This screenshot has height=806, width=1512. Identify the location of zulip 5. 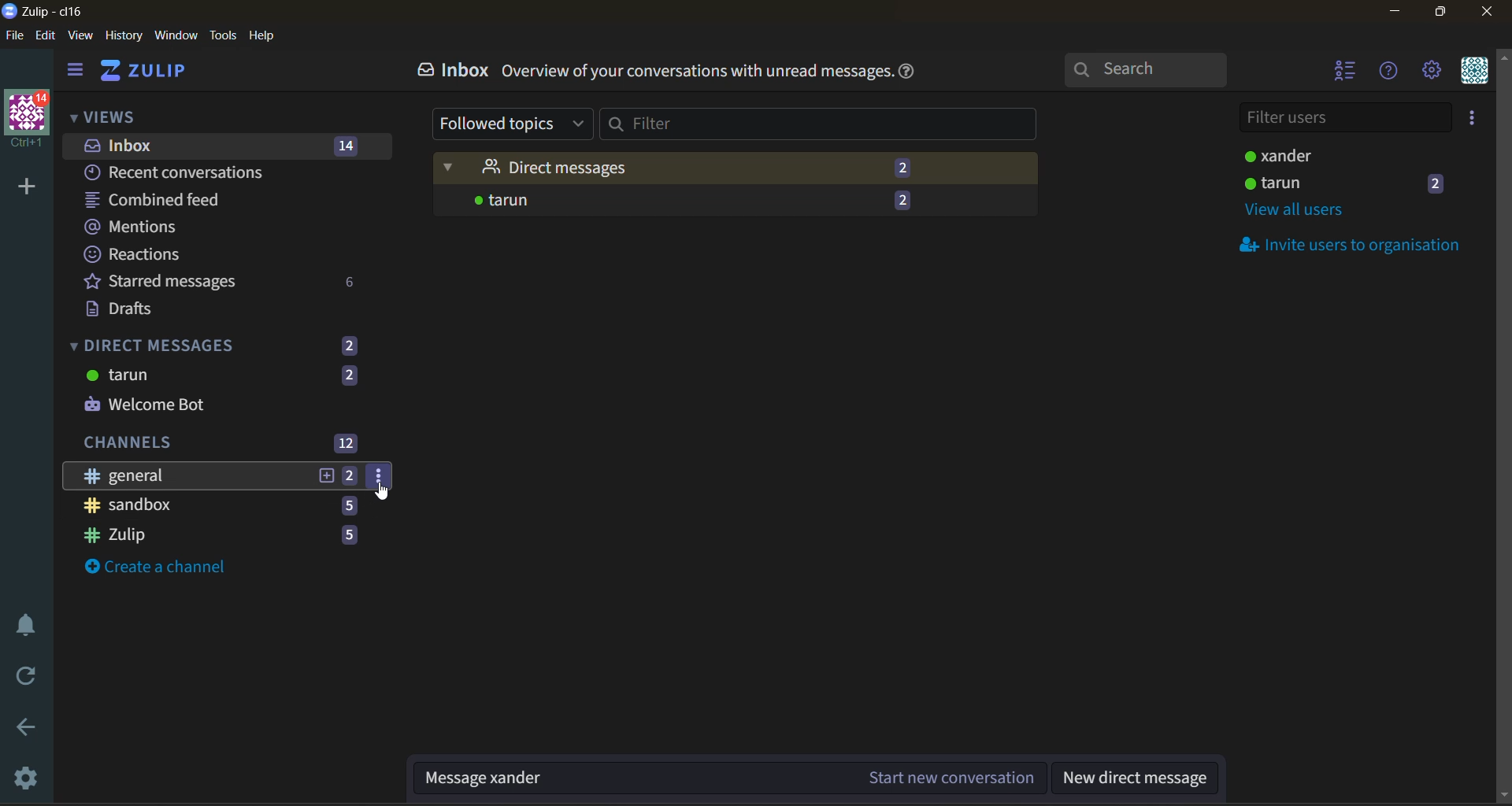
(223, 537).